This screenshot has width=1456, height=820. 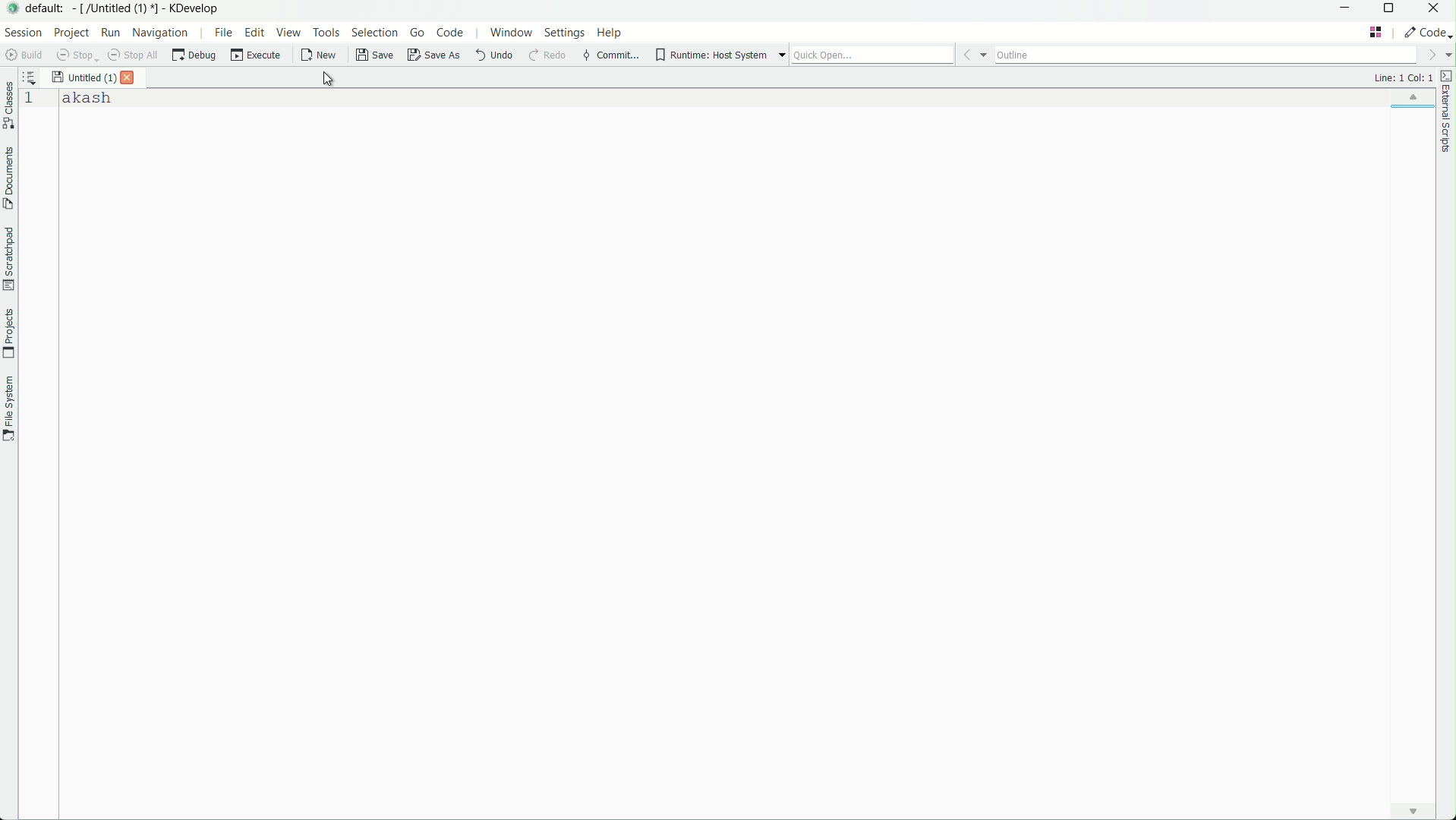 I want to click on save, so click(x=372, y=55).